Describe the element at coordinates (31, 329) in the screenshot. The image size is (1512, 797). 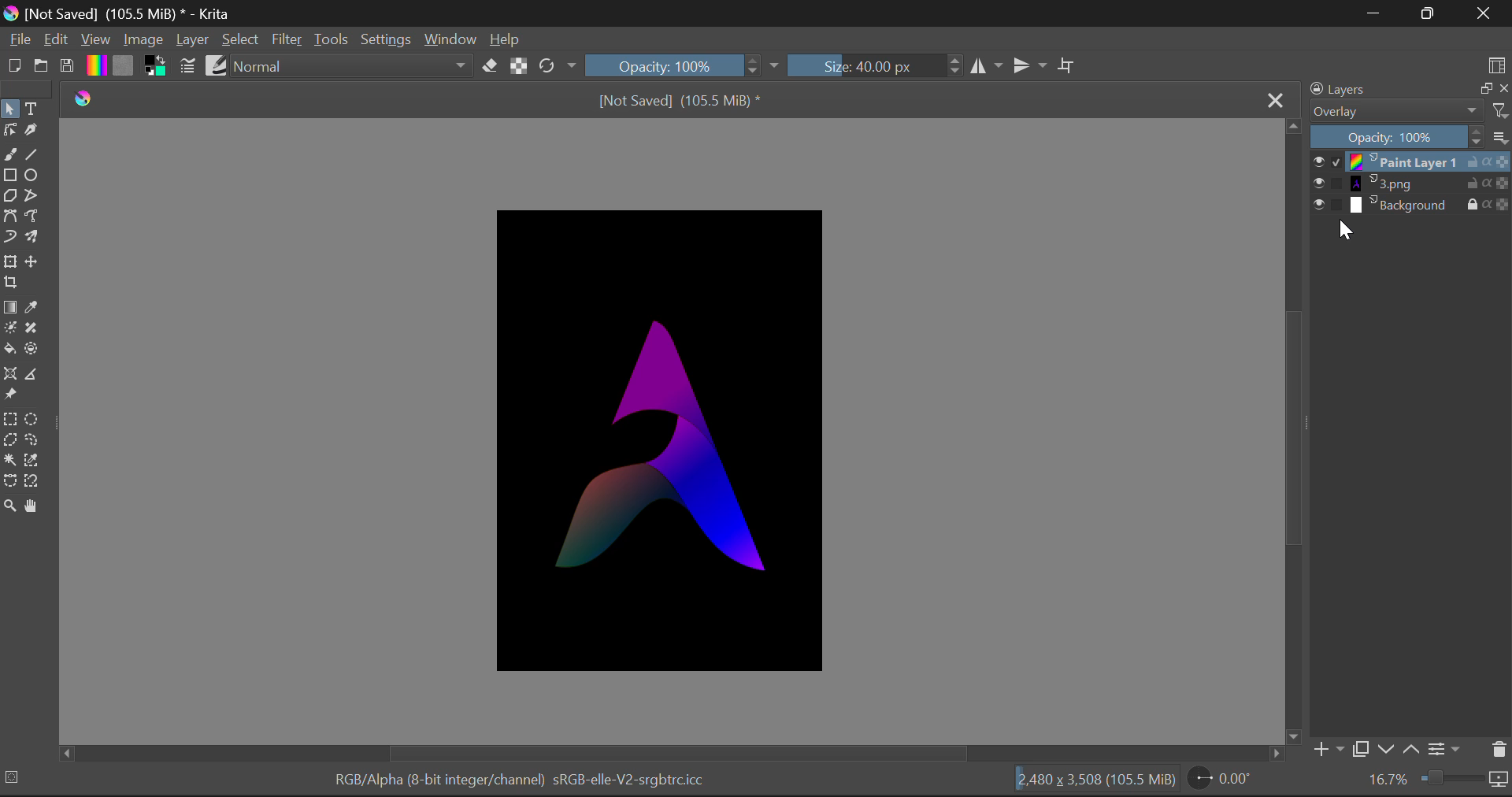
I see `Smart Patch Tool` at that location.